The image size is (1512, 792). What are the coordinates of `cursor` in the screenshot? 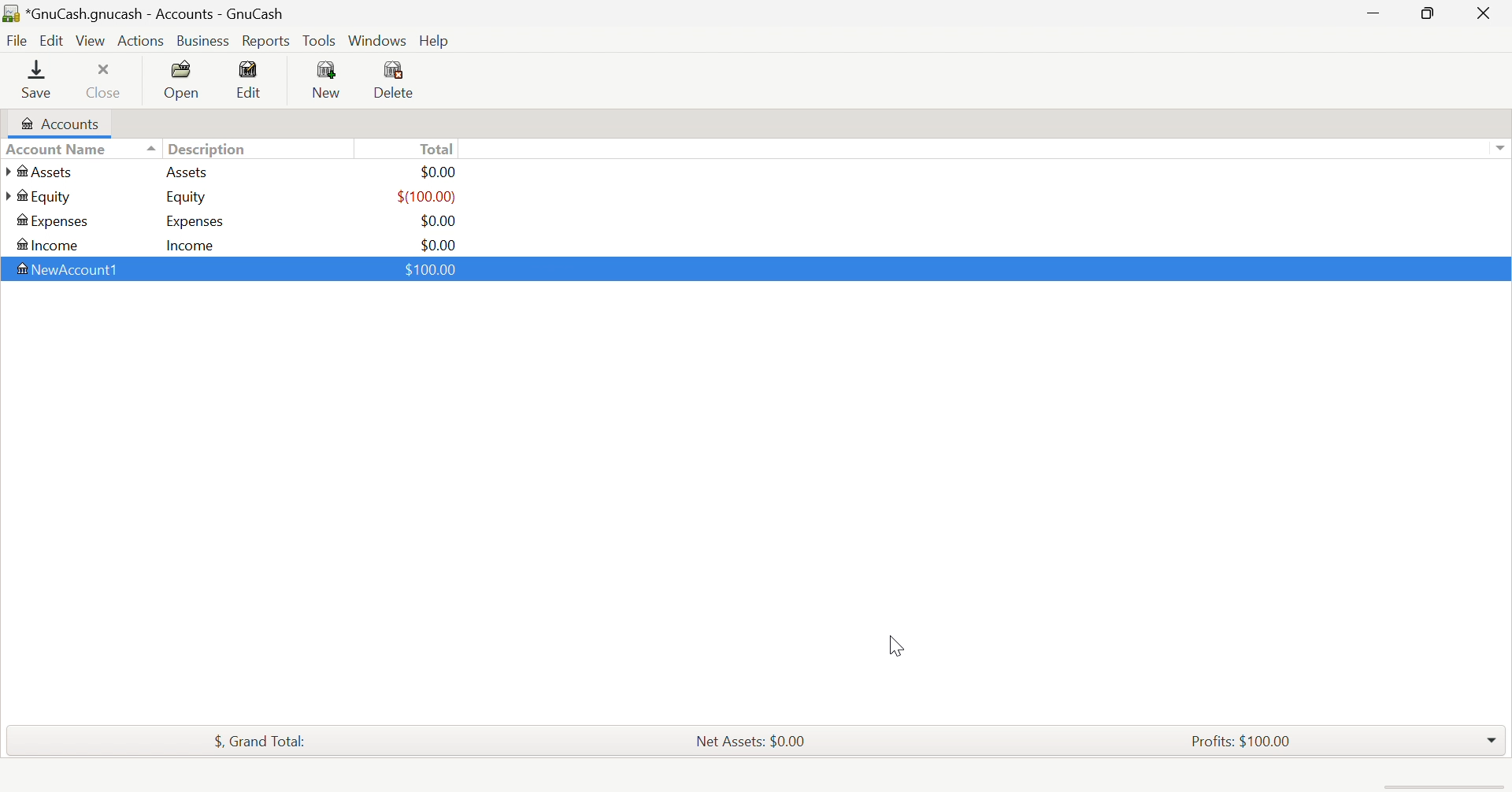 It's located at (891, 644).